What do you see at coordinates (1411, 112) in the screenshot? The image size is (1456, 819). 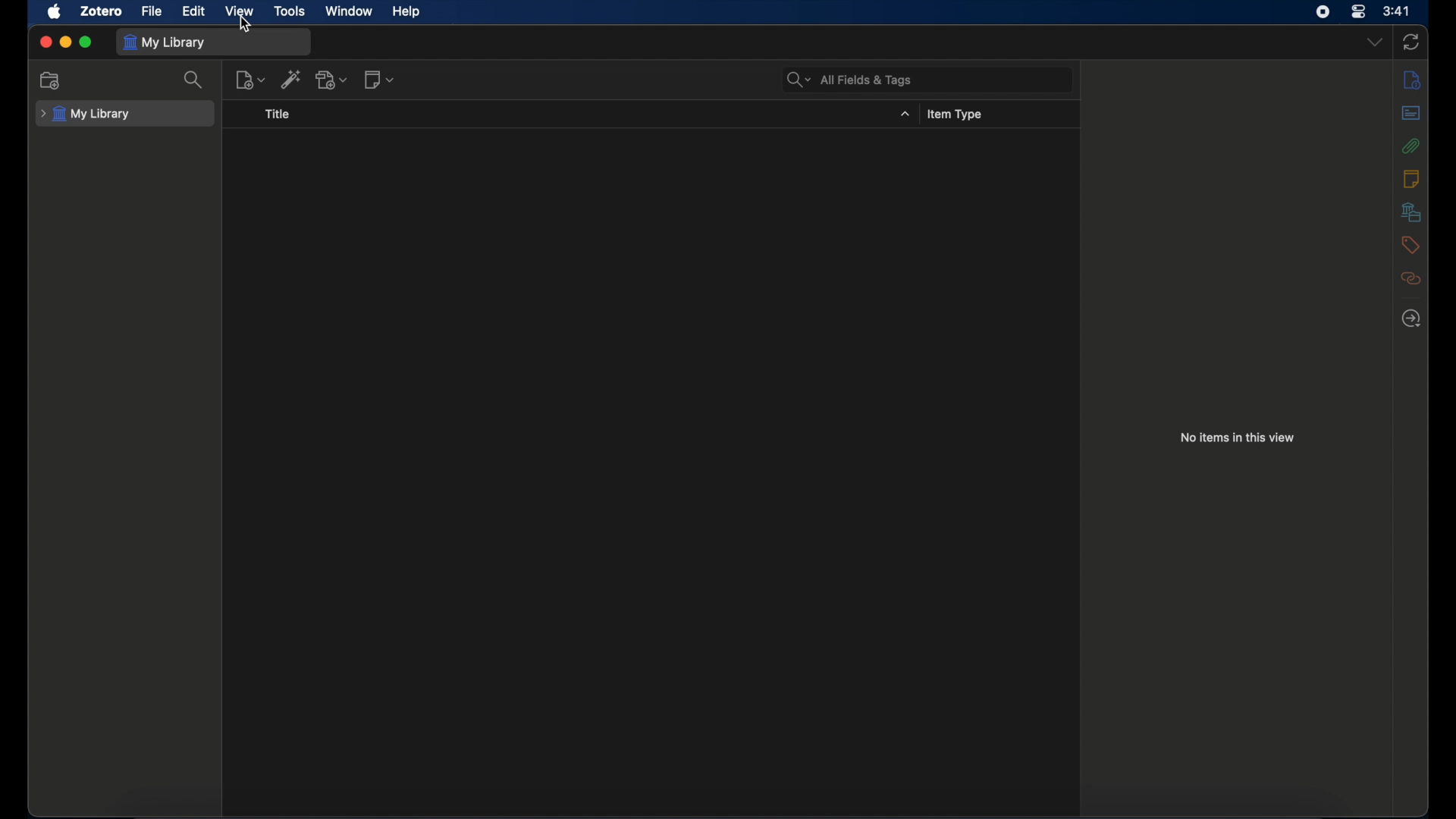 I see `abstract` at bounding box center [1411, 112].